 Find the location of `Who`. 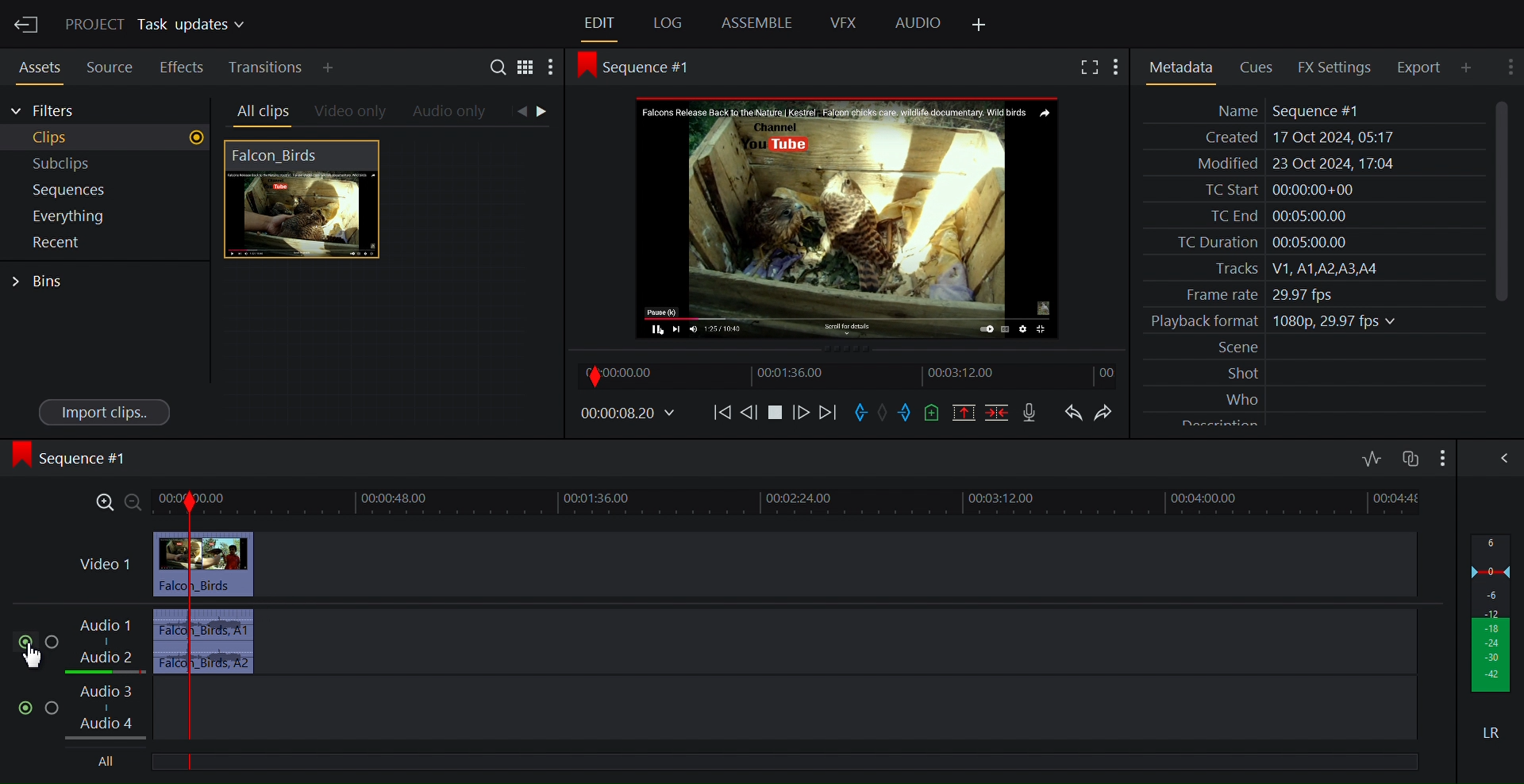

Who is located at coordinates (1315, 397).